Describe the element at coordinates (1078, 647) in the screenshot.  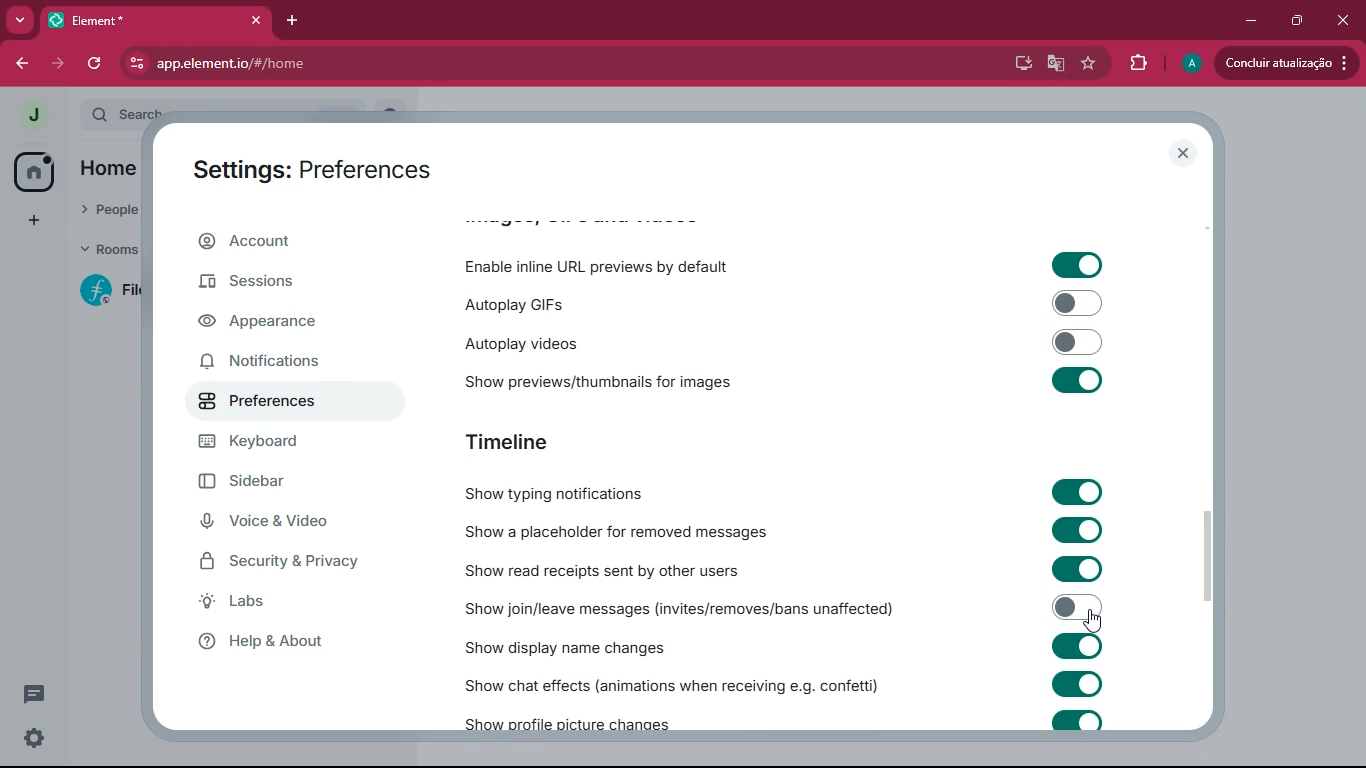
I see `toggle on/off` at that location.